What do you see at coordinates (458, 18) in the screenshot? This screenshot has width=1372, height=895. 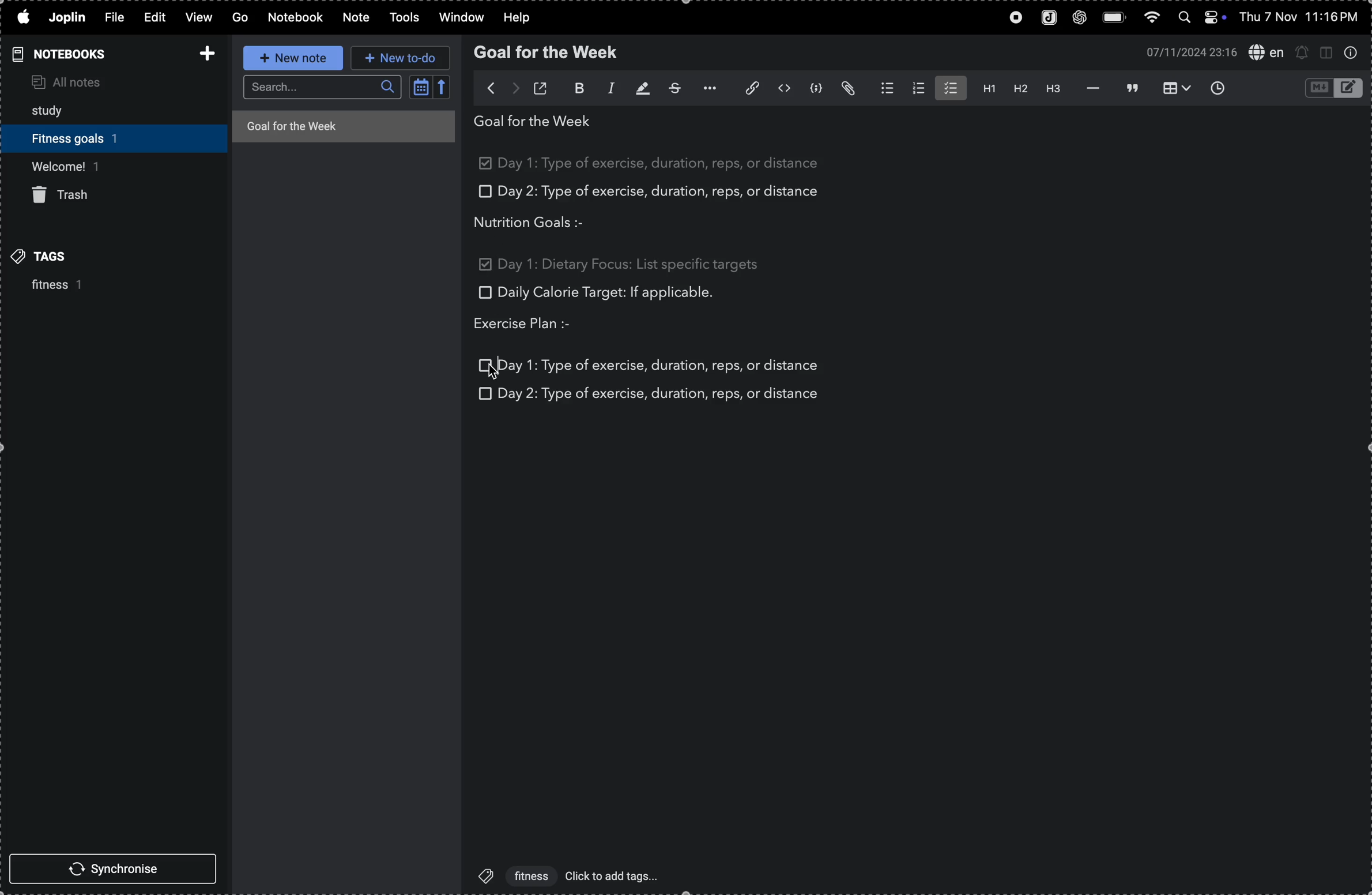 I see `window` at bounding box center [458, 18].